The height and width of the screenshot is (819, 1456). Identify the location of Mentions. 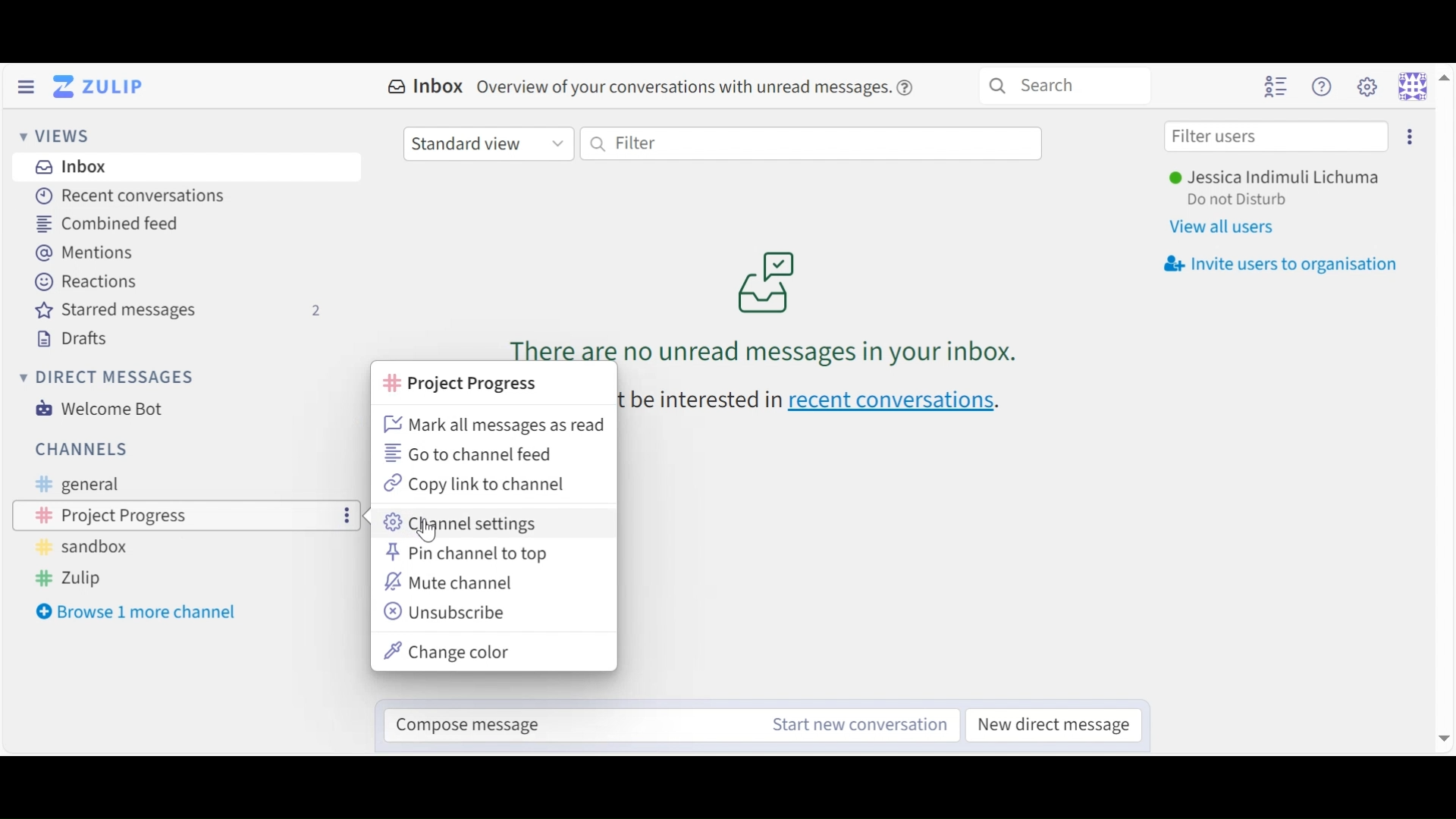
(92, 253).